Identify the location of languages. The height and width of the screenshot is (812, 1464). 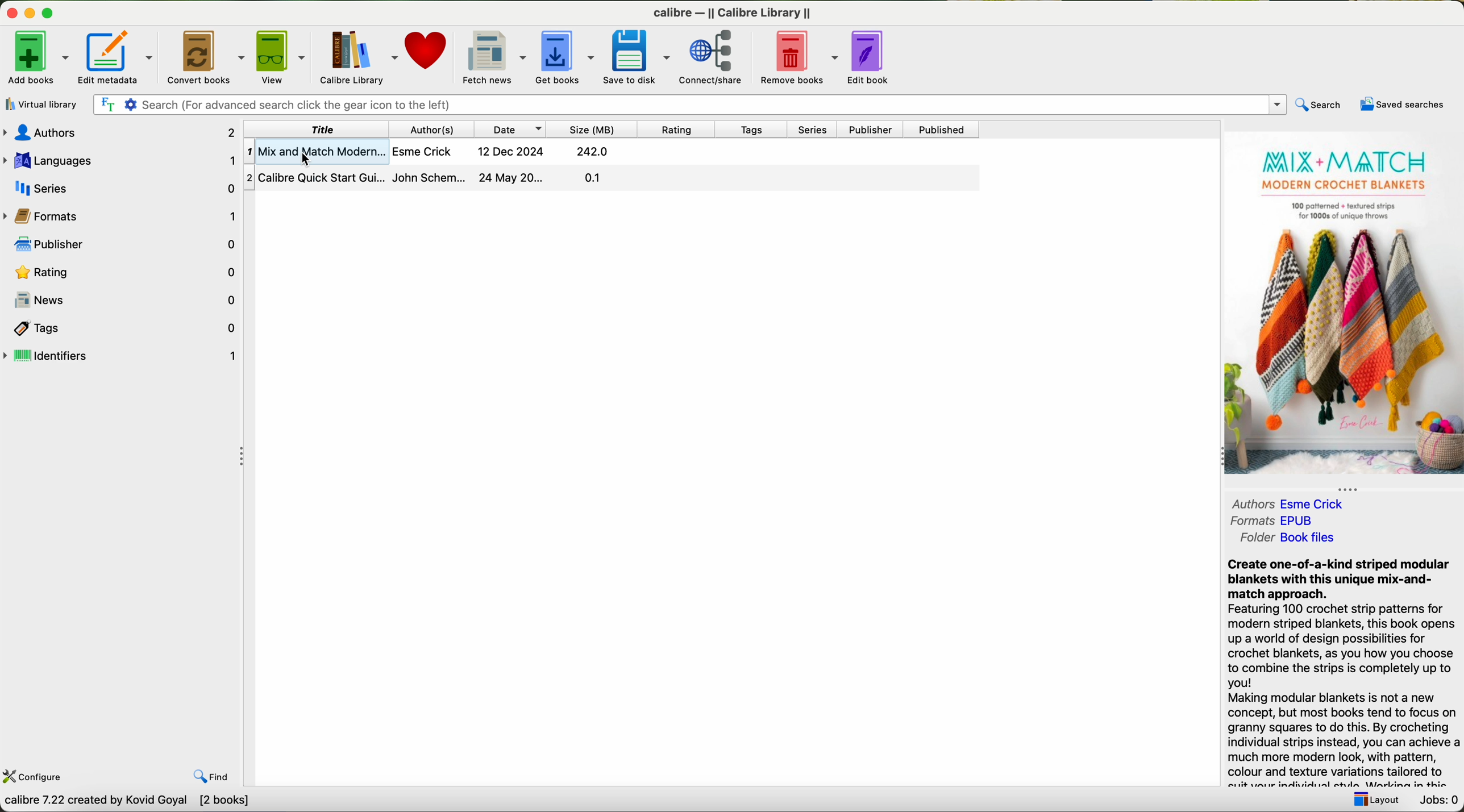
(123, 161).